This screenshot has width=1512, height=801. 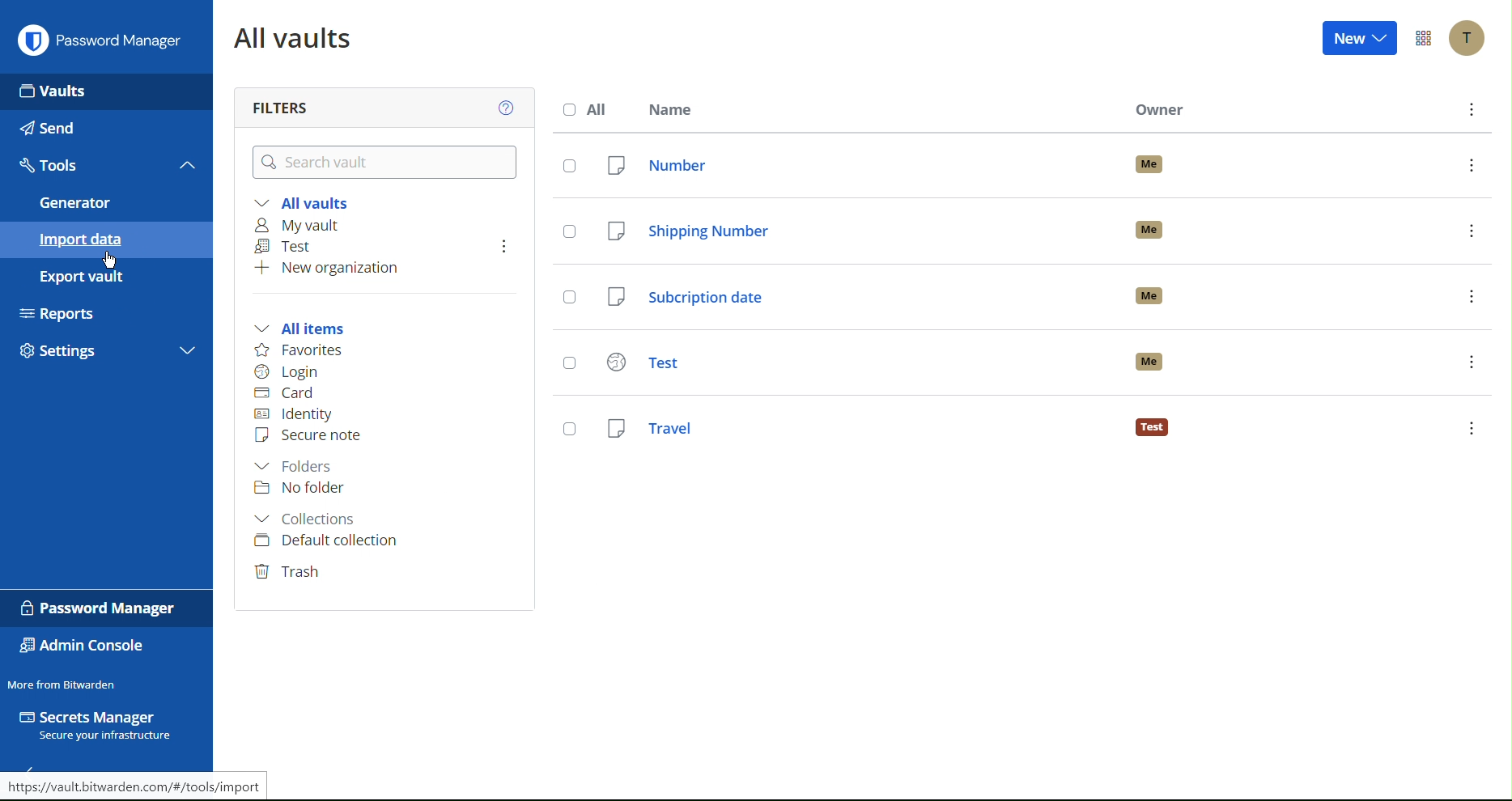 What do you see at coordinates (310, 201) in the screenshot?
I see `All vaults` at bounding box center [310, 201].